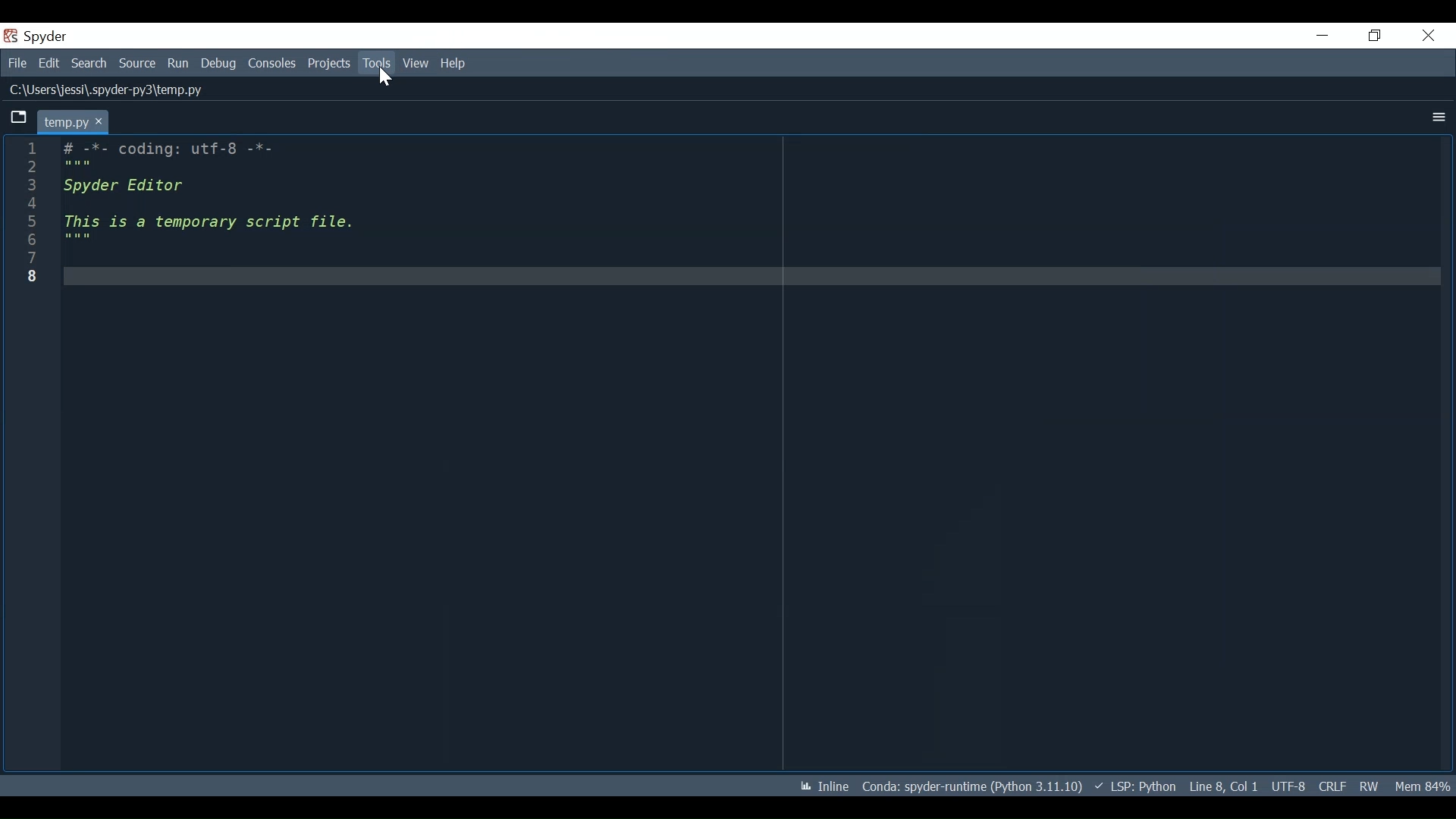 The height and width of the screenshot is (819, 1456). Describe the element at coordinates (14, 118) in the screenshot. I see `Browse Tabs` at that location.